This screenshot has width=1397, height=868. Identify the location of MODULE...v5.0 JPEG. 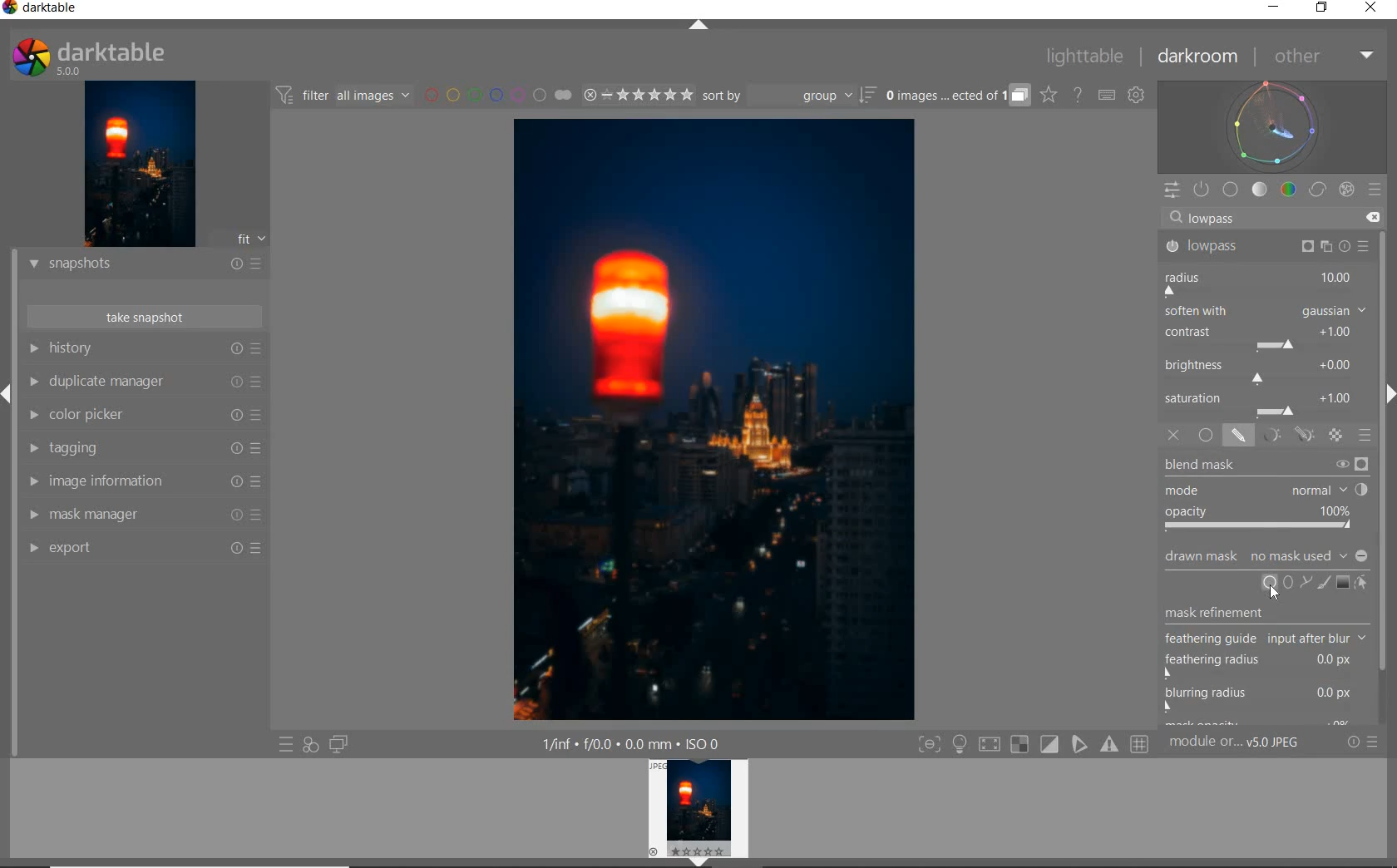
(1251, 744).